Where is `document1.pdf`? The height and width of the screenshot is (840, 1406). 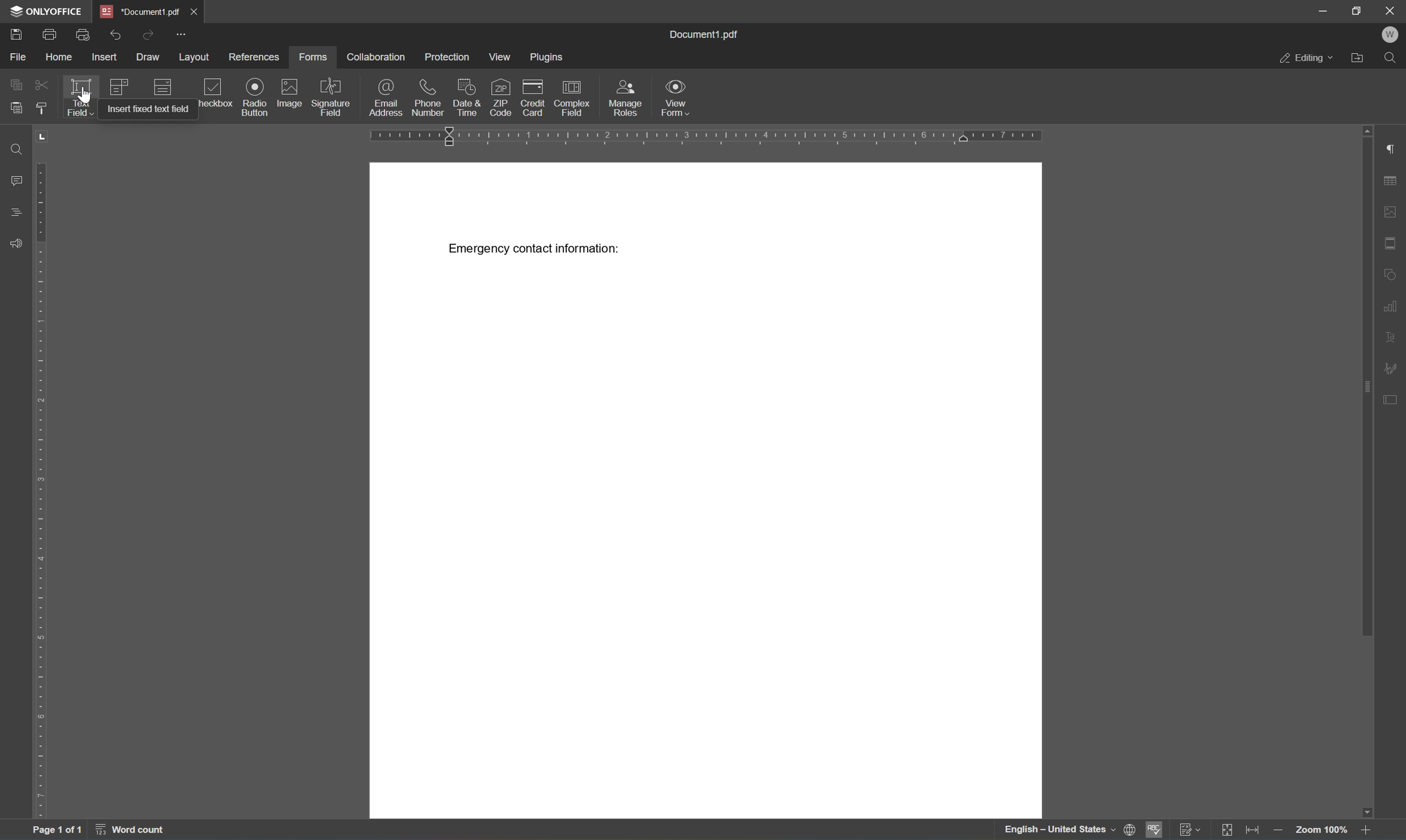 document1.pdf is located at coordinates (704, 34).